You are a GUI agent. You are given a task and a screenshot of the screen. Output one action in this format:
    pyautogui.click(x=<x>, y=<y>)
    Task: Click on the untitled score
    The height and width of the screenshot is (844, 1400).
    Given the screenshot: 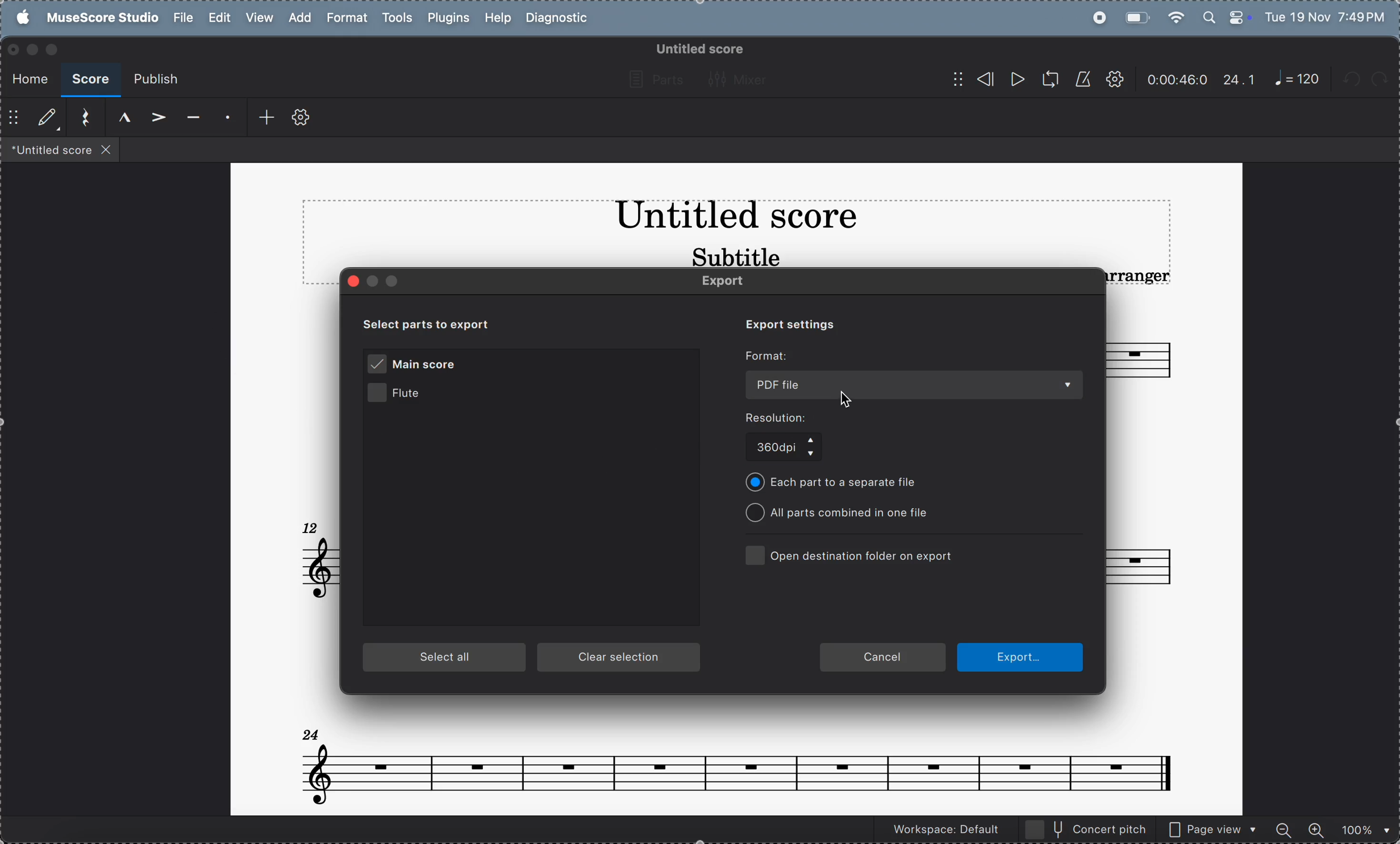 What is the action you would take?
    pyautogui.click(x=698, y=49)
    